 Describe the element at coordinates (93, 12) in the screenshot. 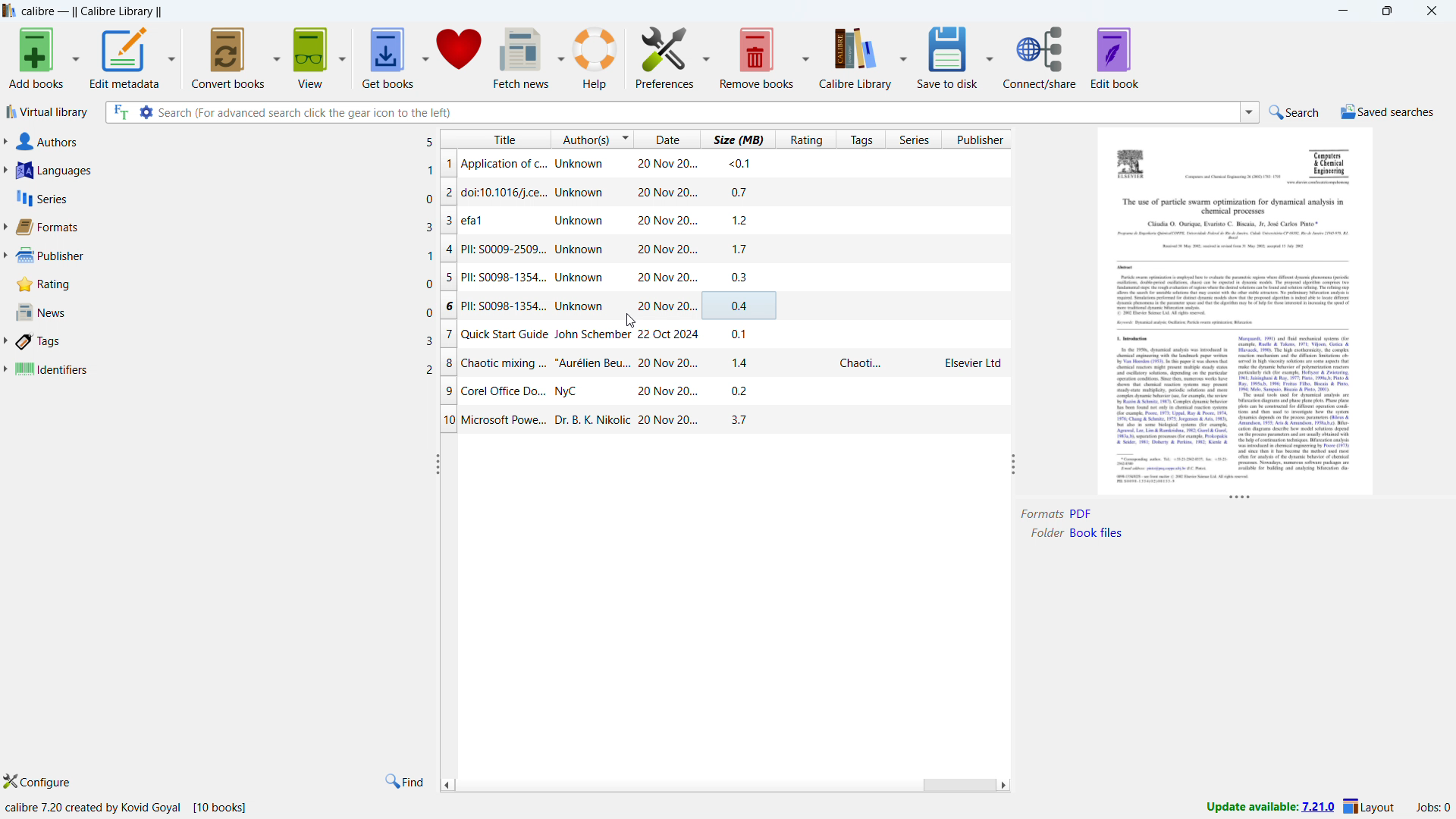

I see `title` at that location.